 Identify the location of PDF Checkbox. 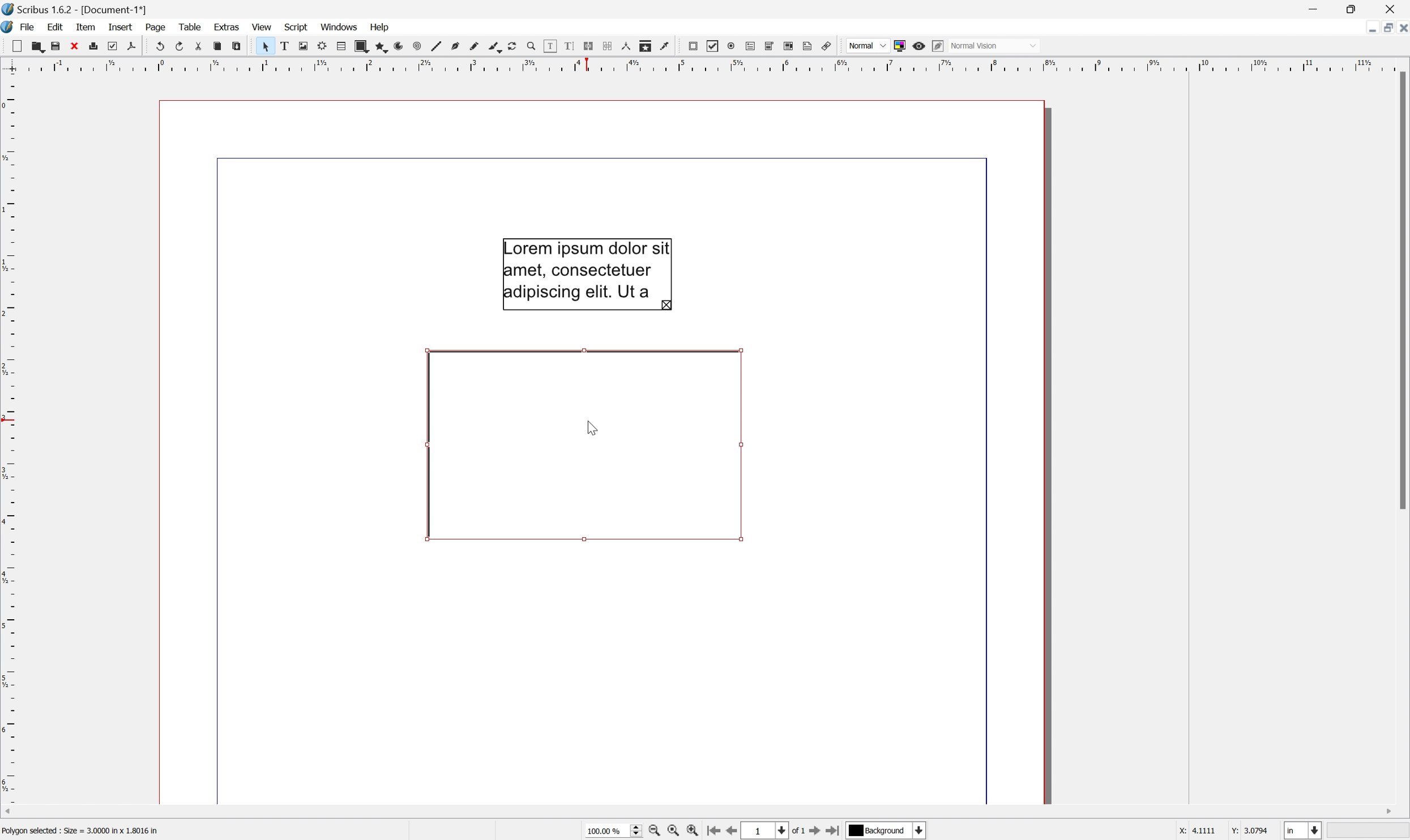
(713, 46).